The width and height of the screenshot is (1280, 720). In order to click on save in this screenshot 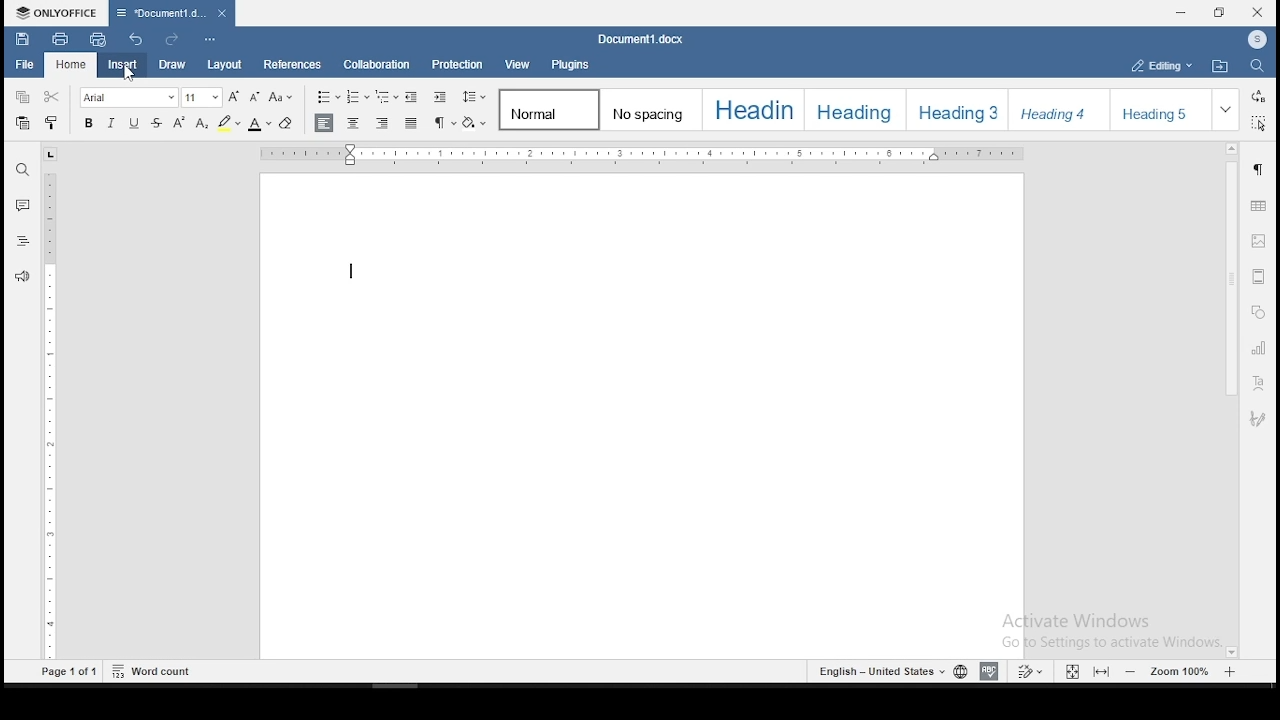, I will do `click(21, 37)`.